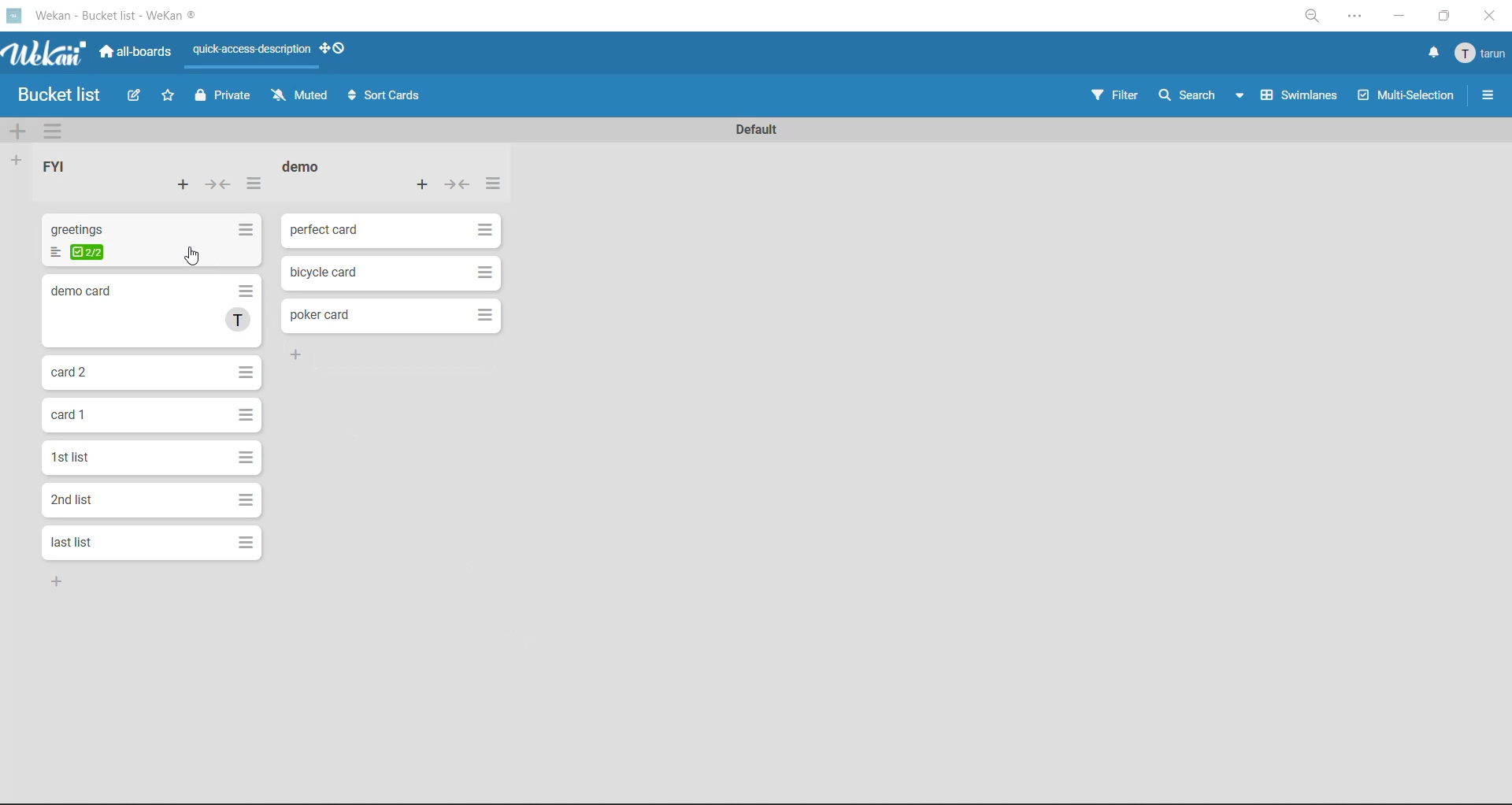 Image resolution: width=1512 pixels, height=805 pixels. I want to click on zoom, so click(1311, 18).